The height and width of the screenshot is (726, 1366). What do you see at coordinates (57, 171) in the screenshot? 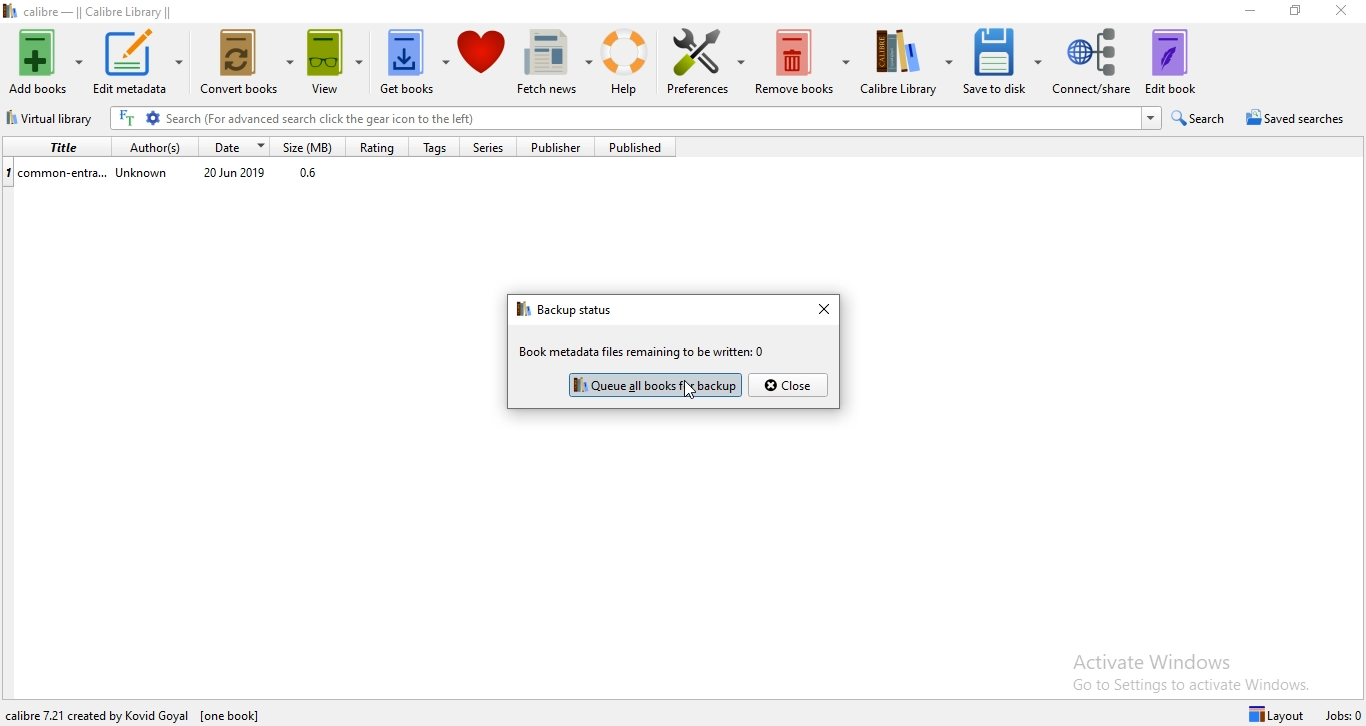
I see `common-entra...` at bounding box center [57, 171].